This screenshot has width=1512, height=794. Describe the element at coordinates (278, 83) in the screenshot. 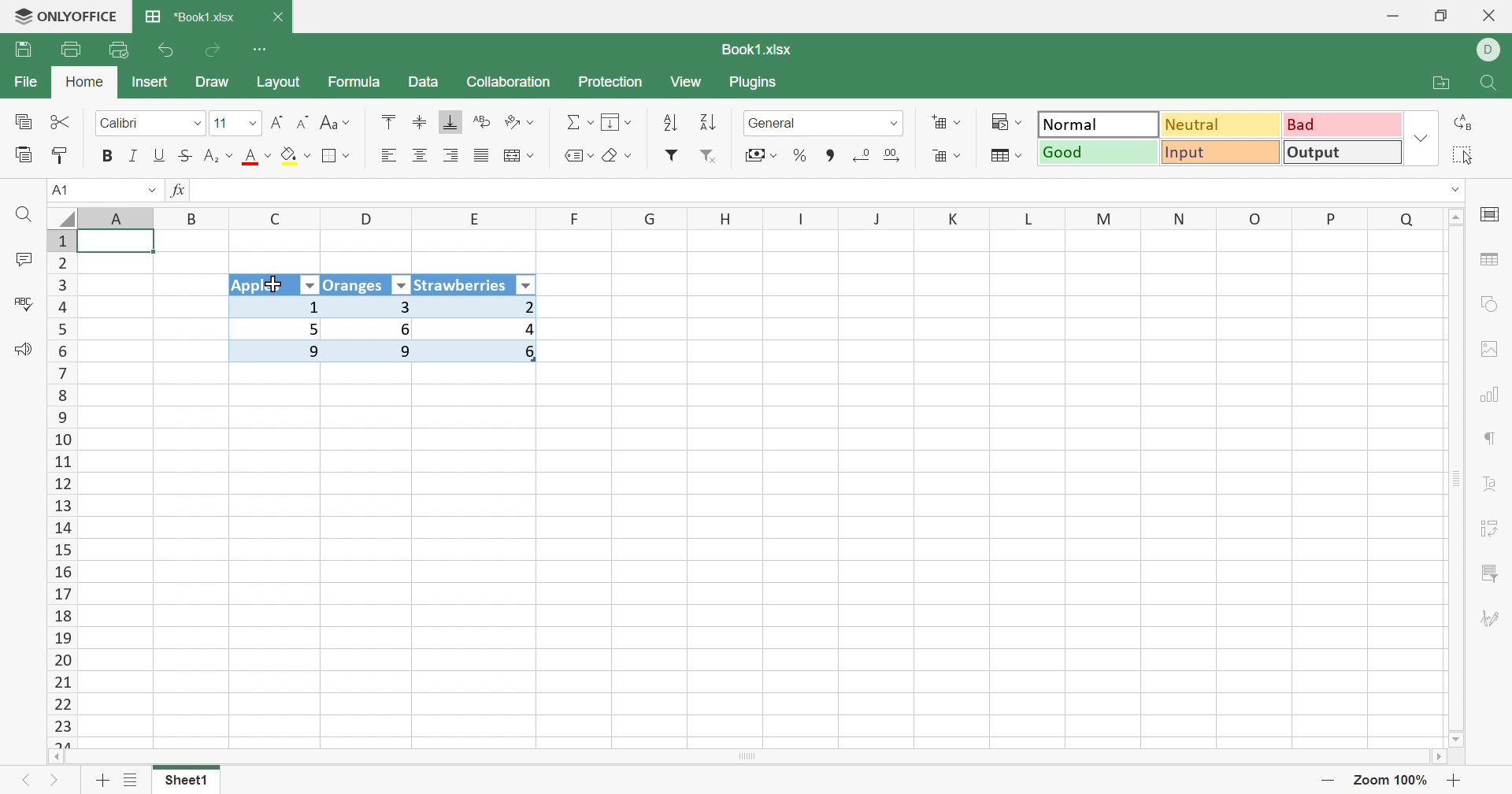

I see `Lyout` at that location.